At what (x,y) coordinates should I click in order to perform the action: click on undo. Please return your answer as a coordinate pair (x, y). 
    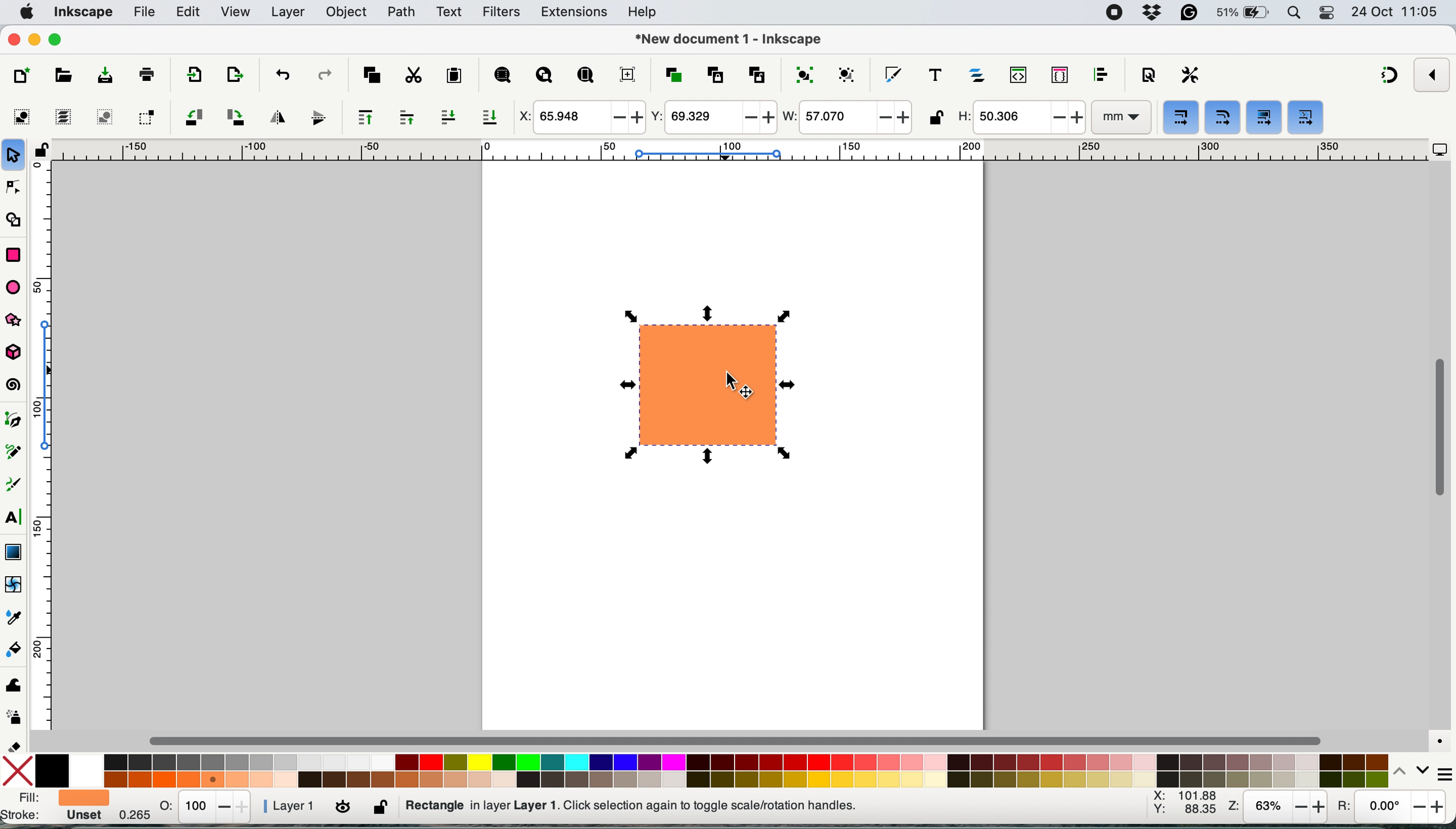
    Looking at the image, I should click on (281, 74).